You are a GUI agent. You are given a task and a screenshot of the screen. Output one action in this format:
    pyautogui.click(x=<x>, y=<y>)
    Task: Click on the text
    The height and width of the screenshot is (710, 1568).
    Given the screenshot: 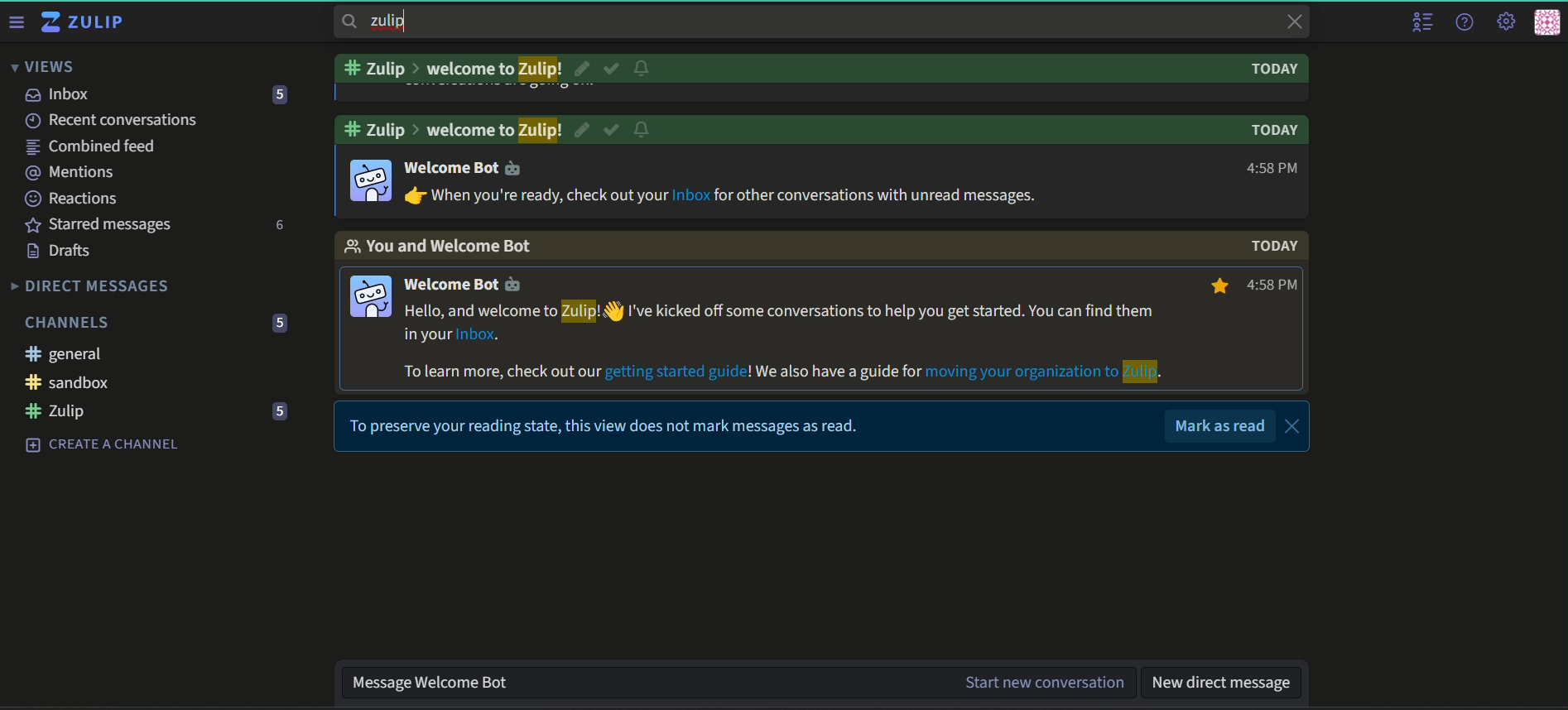 What is the action you would take?
    pyautogui.click(x=438, y=247)
    